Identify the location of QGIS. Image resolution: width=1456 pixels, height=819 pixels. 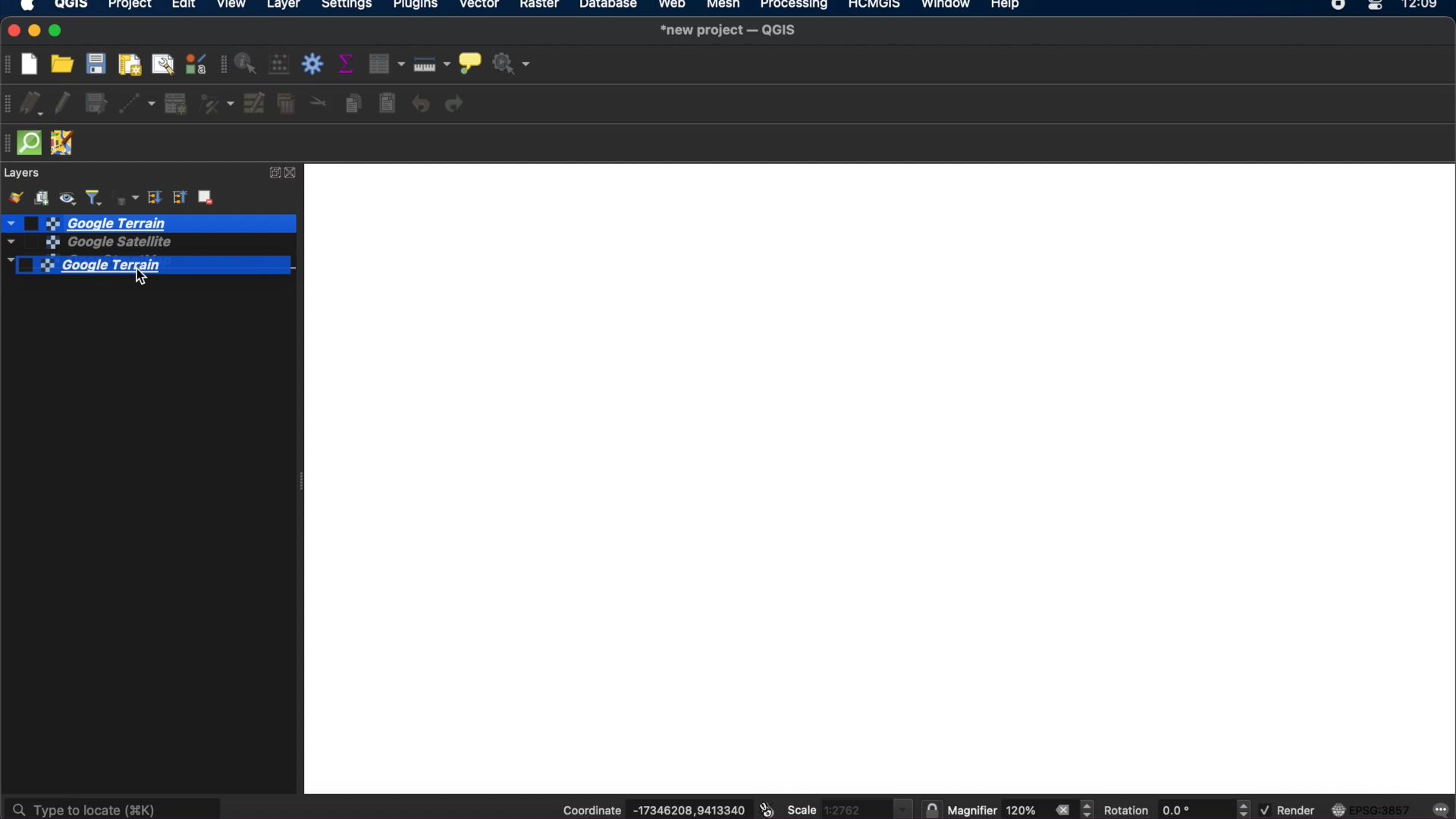
(71, 6).